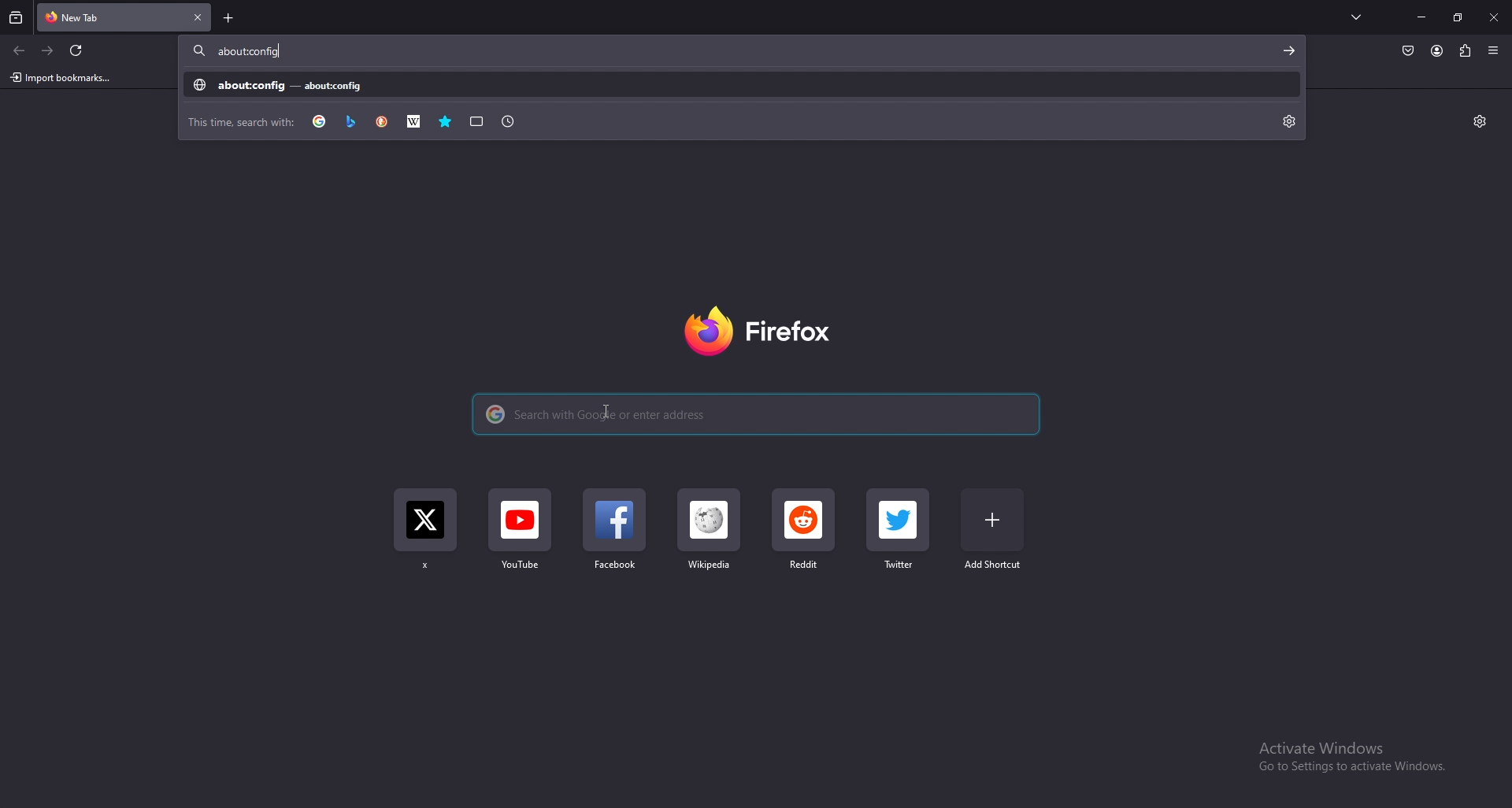 The width and height of the screenshot is (1512, 808). What do you see at coordinates (65, 78) in the screenshot?
I see `import bookmarks` at bounding box center [65, 78].